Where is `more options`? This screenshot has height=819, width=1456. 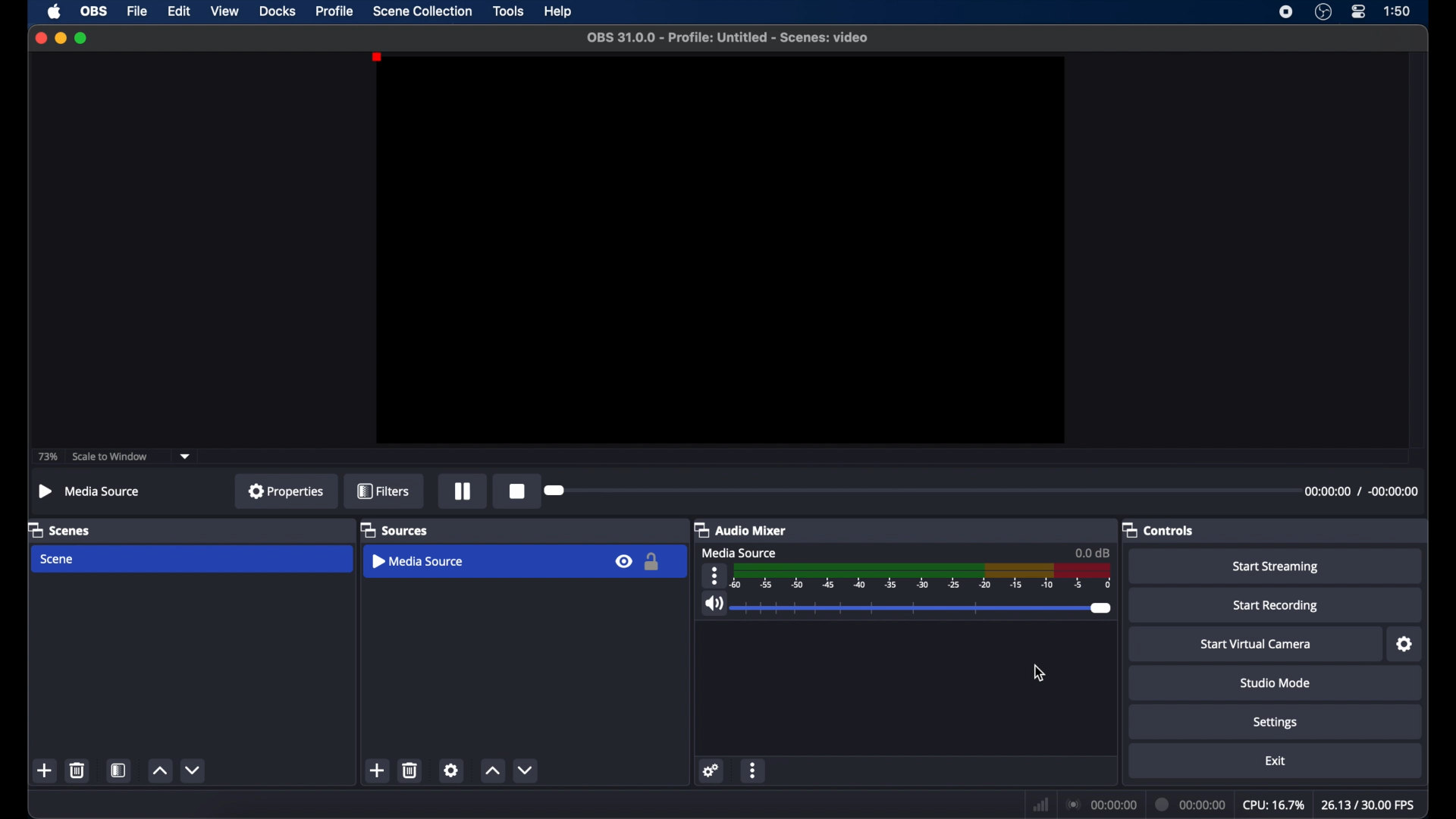
more options is located at coordinates (714, 576).